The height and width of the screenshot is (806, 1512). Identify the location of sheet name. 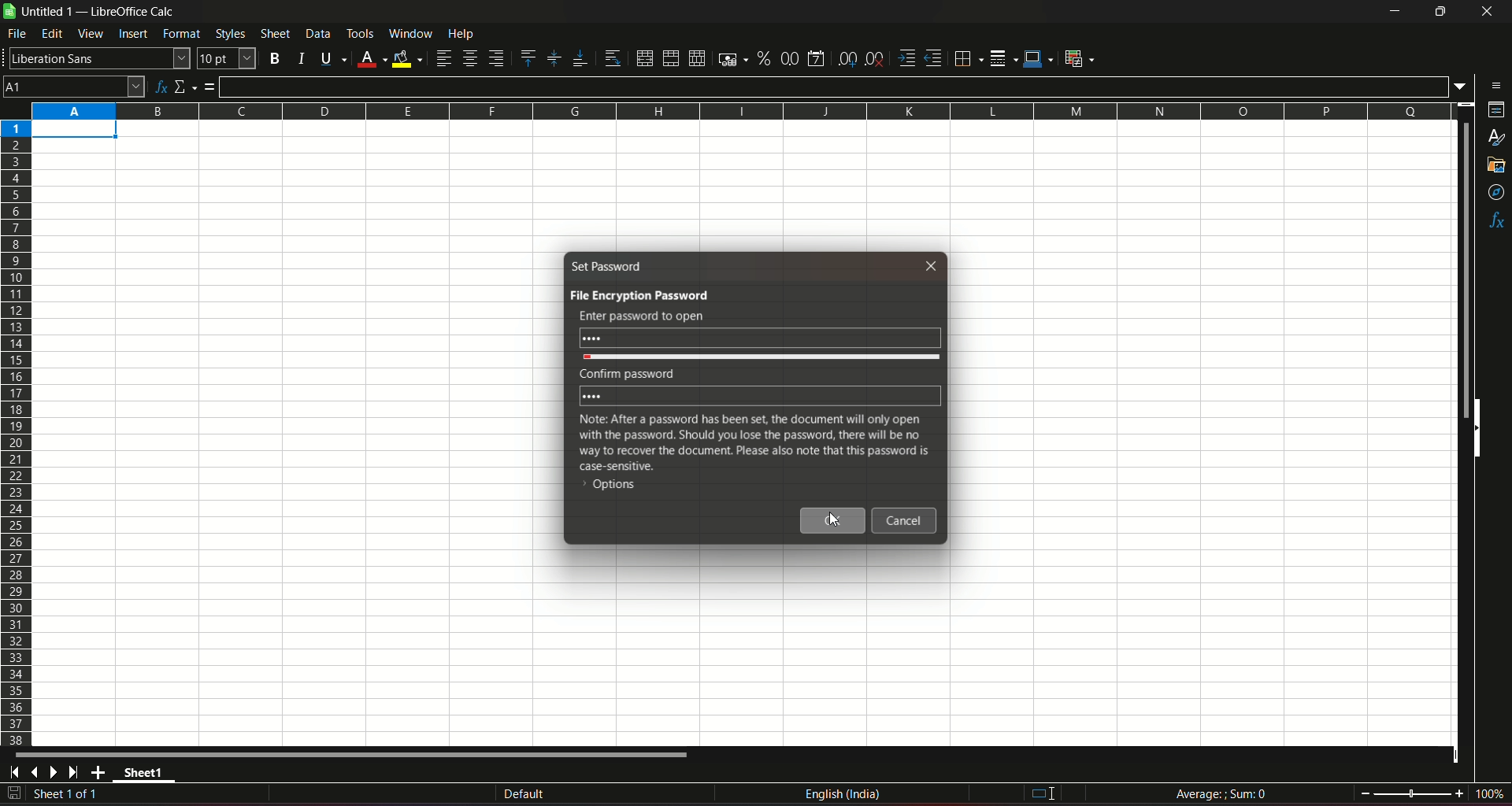
(146, 775).